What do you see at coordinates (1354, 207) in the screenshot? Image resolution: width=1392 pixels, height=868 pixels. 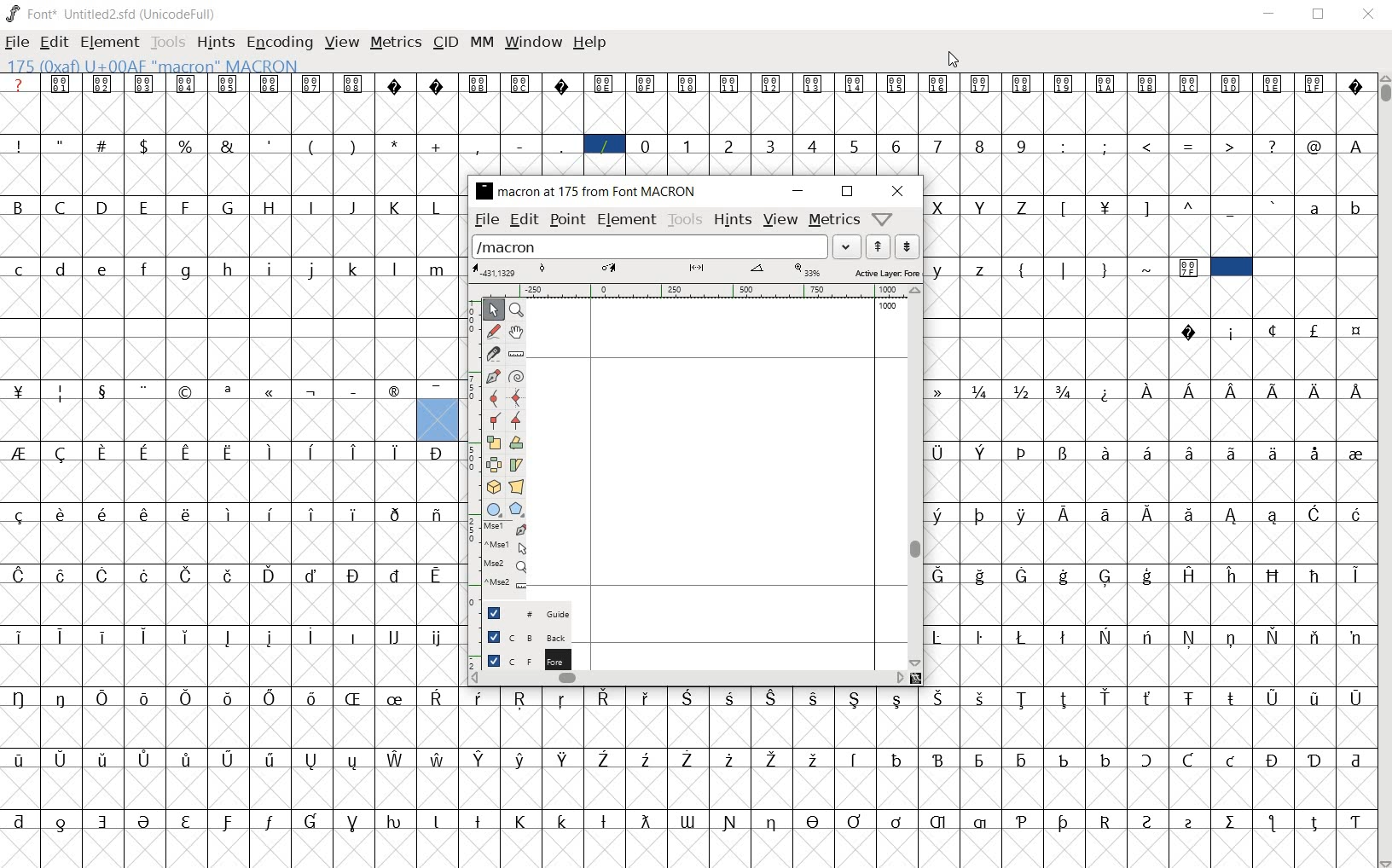 I see `b` at bounding box center [1354, 207].